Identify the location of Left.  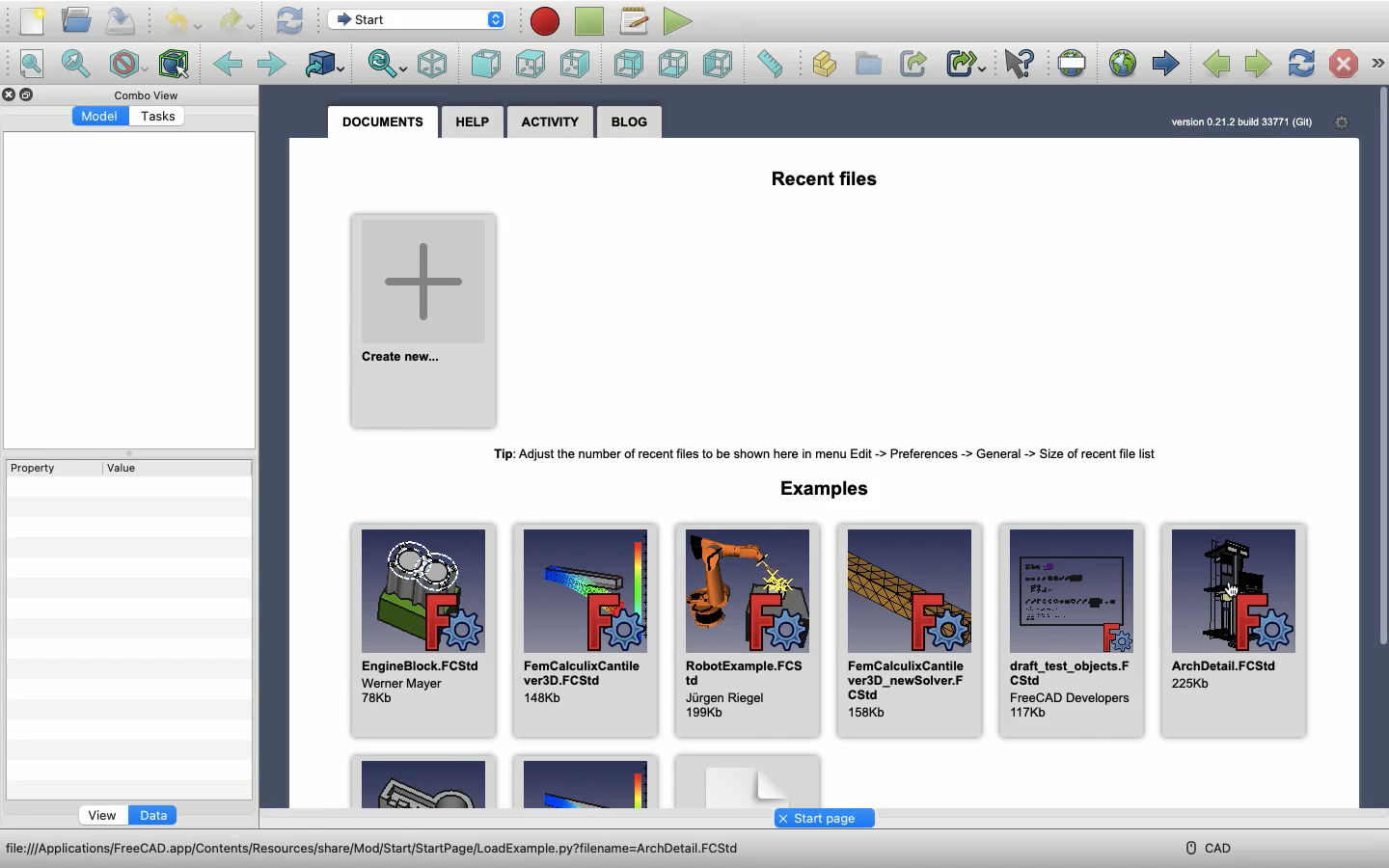
(716, 65).